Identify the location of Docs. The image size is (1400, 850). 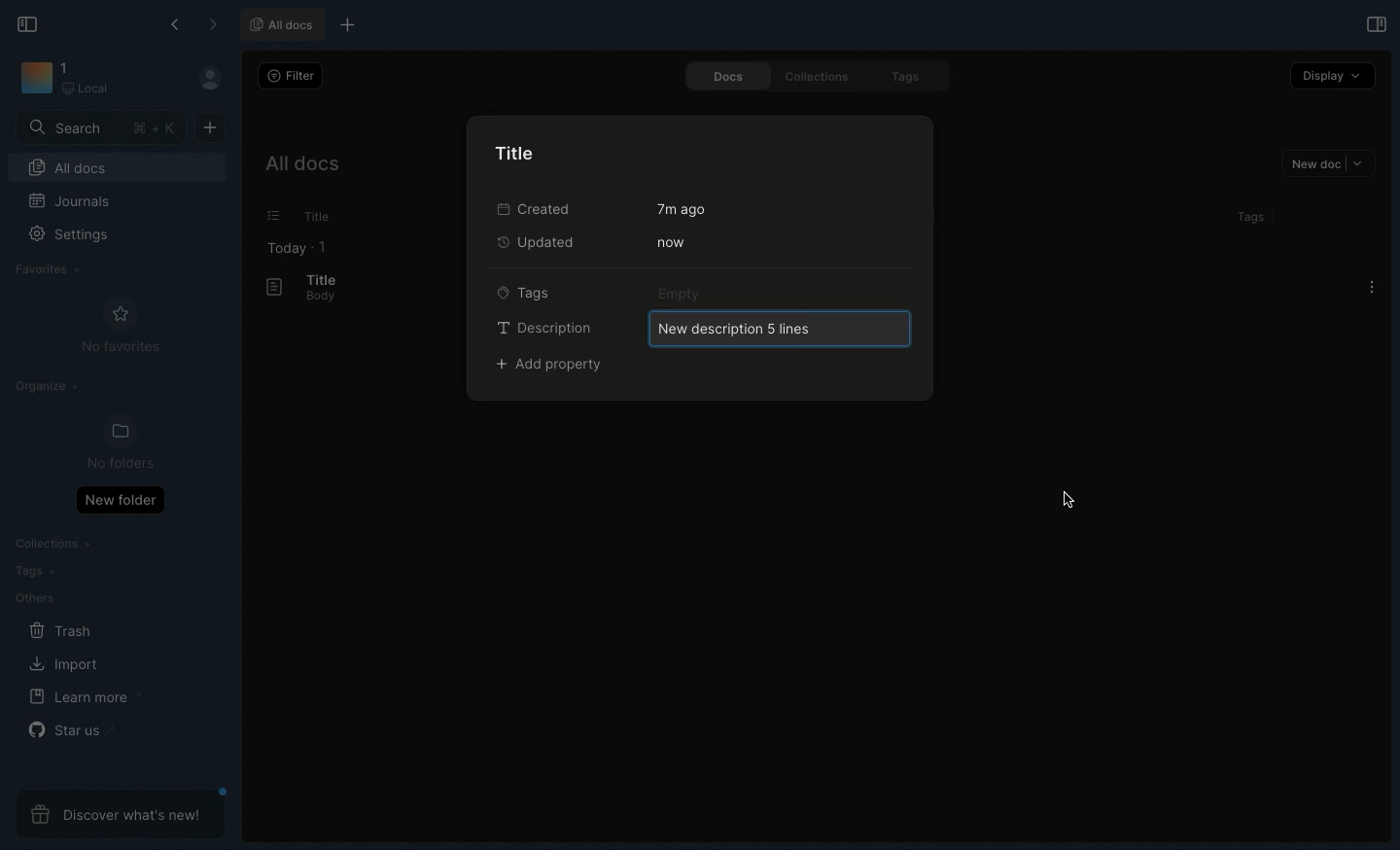
(720, 76).